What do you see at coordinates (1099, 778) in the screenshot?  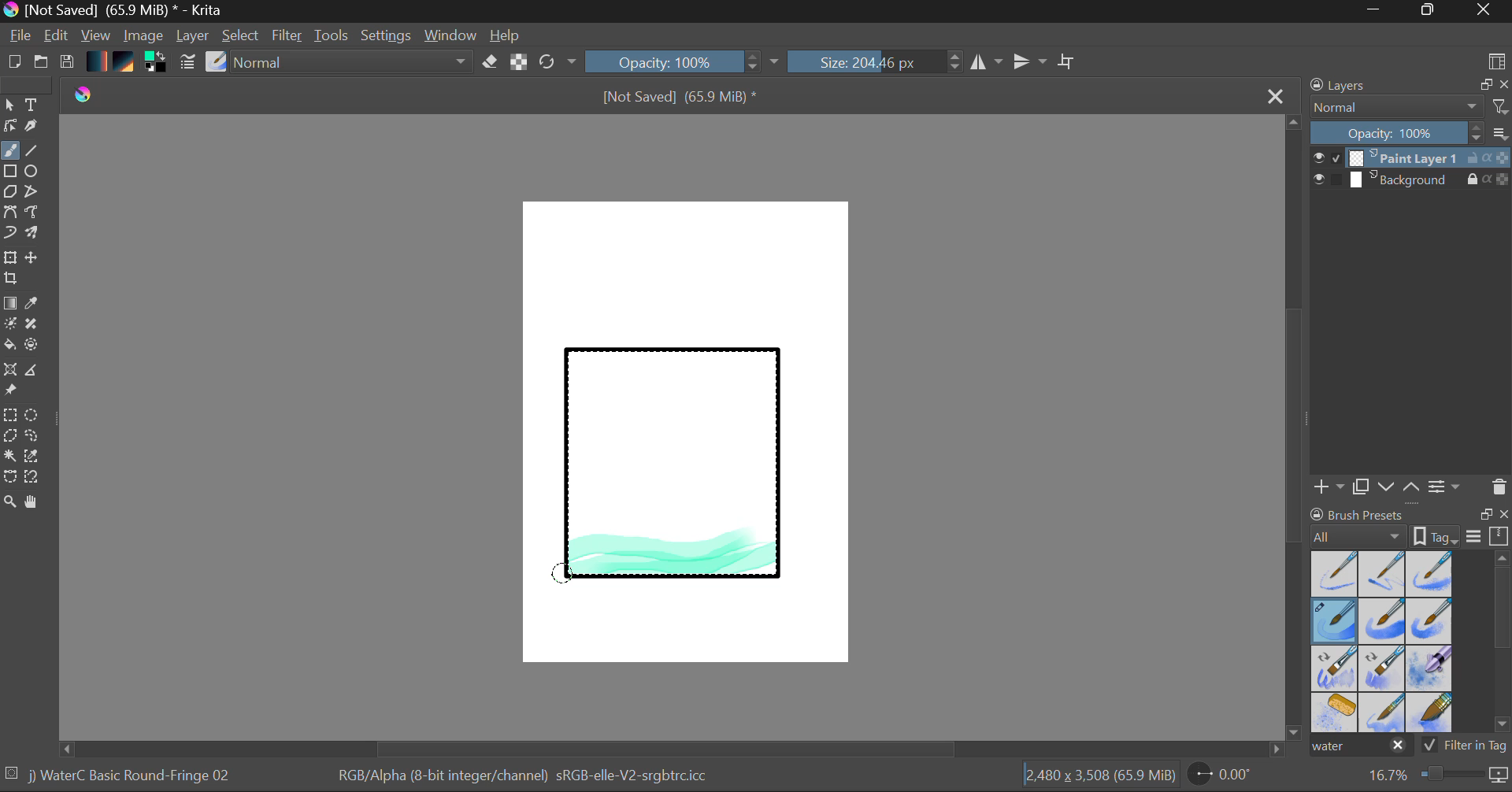 I see `Document Dimensions` at bounding box center [1099, 778].